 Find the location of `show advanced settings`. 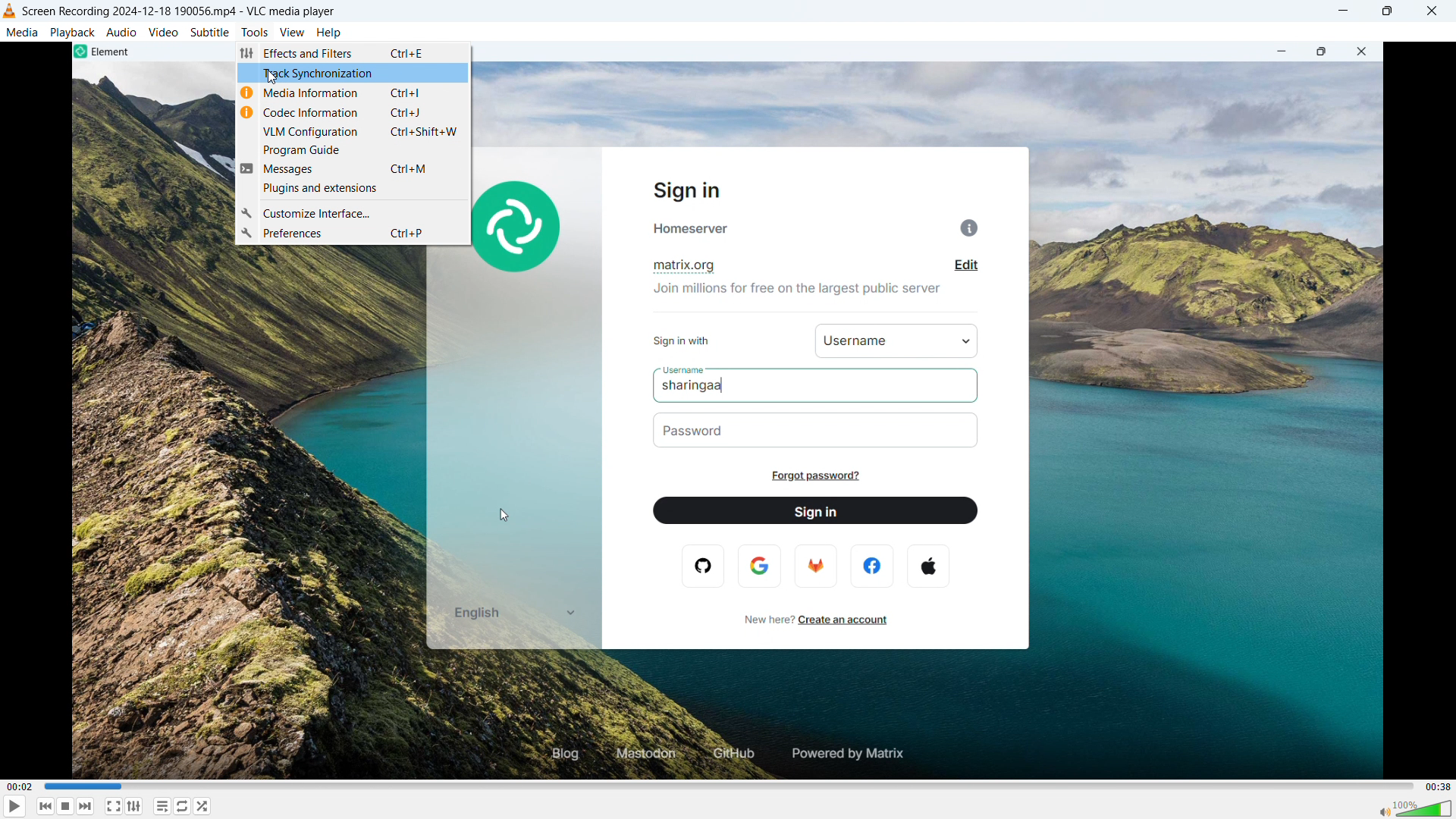

show advanced settings is located at coordinates (136, 806).